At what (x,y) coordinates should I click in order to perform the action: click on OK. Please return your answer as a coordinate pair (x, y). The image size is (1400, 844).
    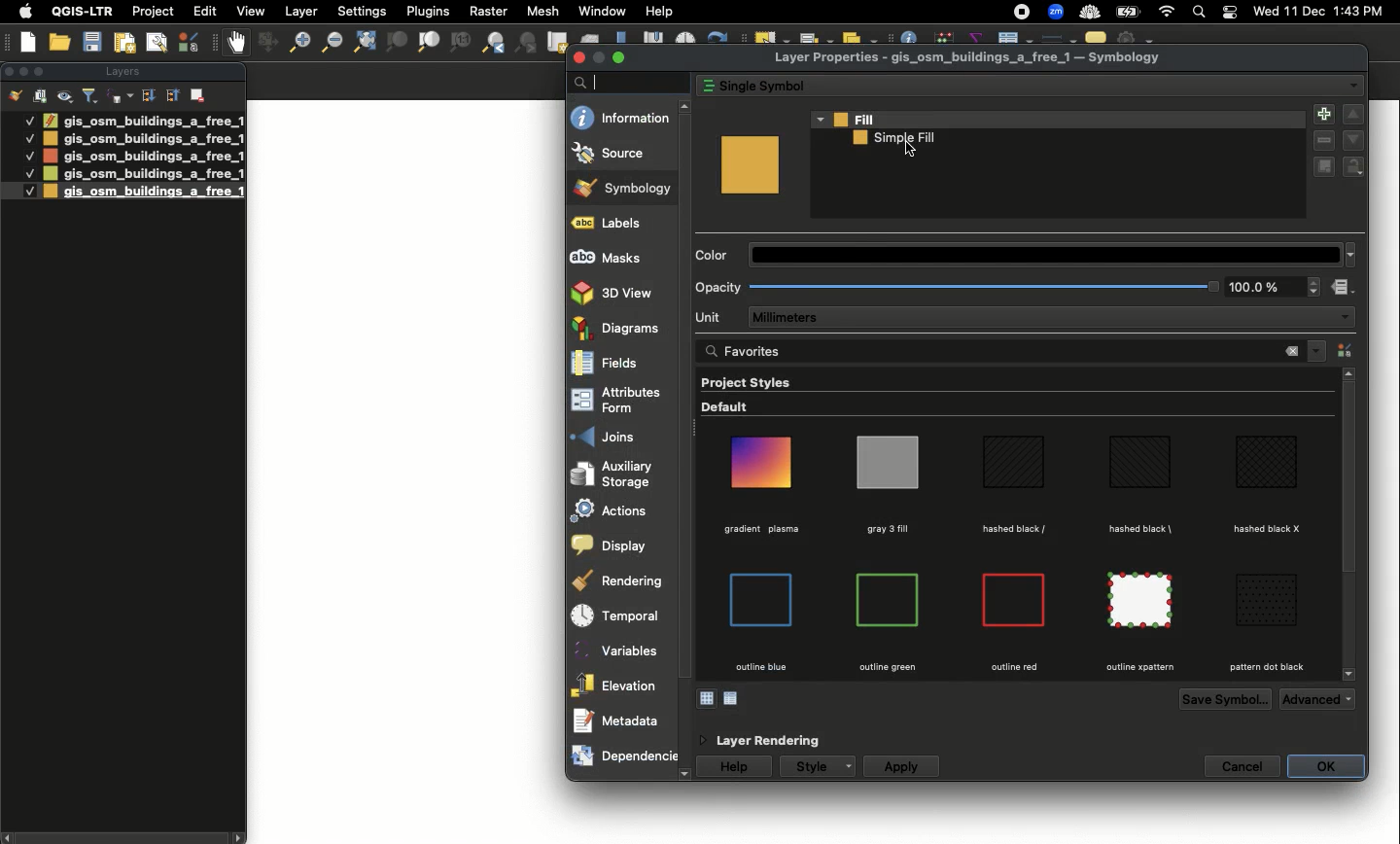
    Looking at the image, I should click on (1326, 766).